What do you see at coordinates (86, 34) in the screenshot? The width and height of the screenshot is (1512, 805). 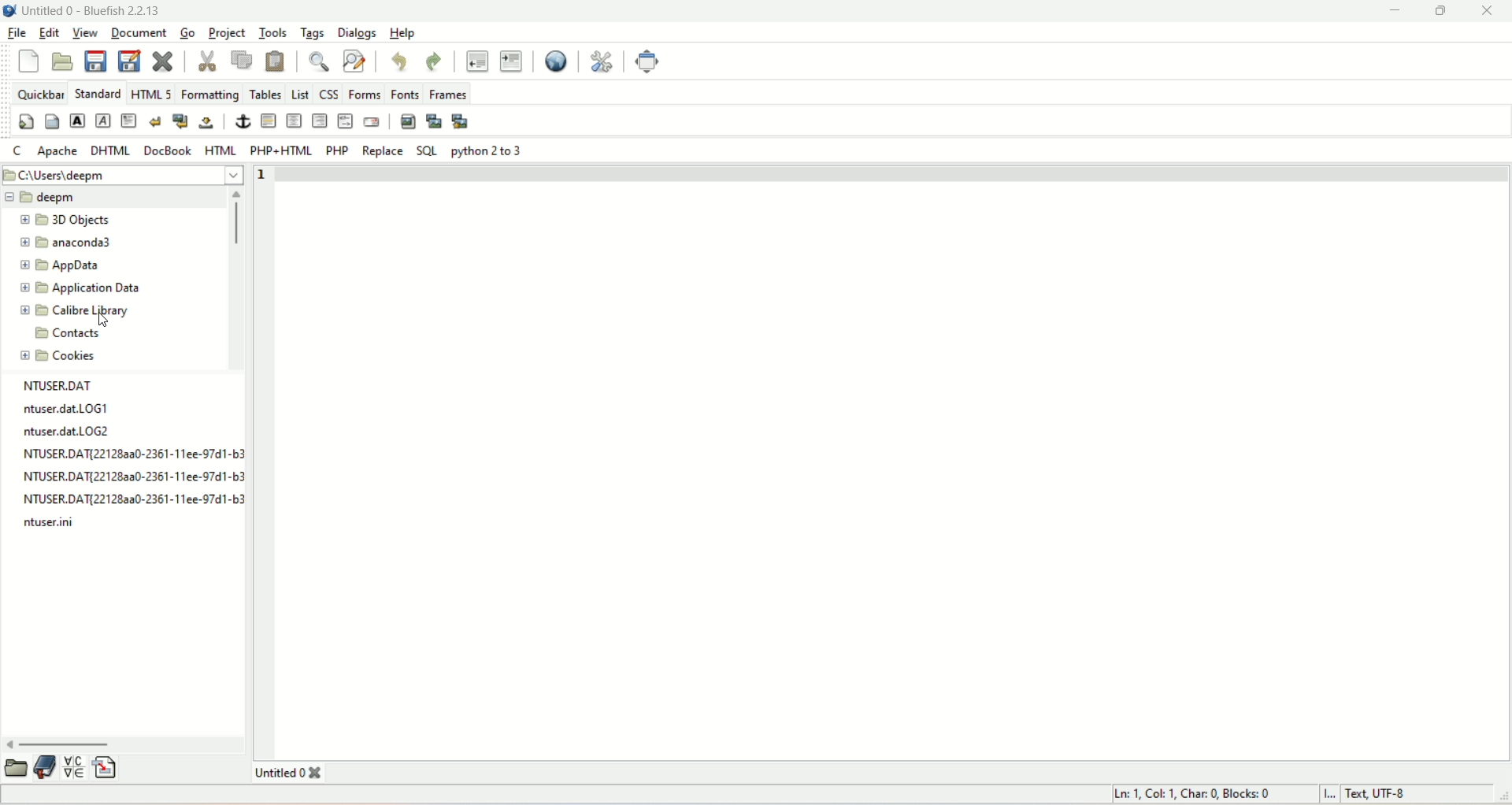 I see `view` at bounding box center [86, 34].